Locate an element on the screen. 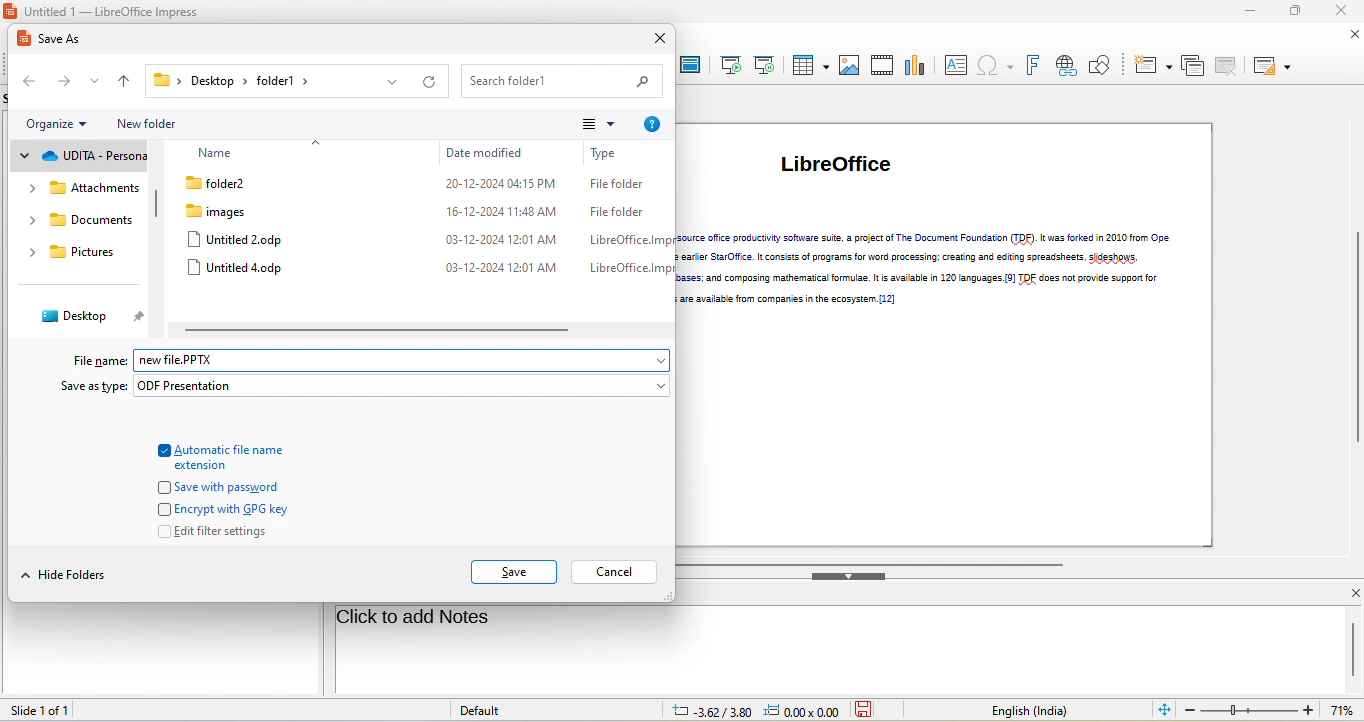 This screenshot has height=722, width=1364. slide 1 of 1 is located at coordinates (54, 709).